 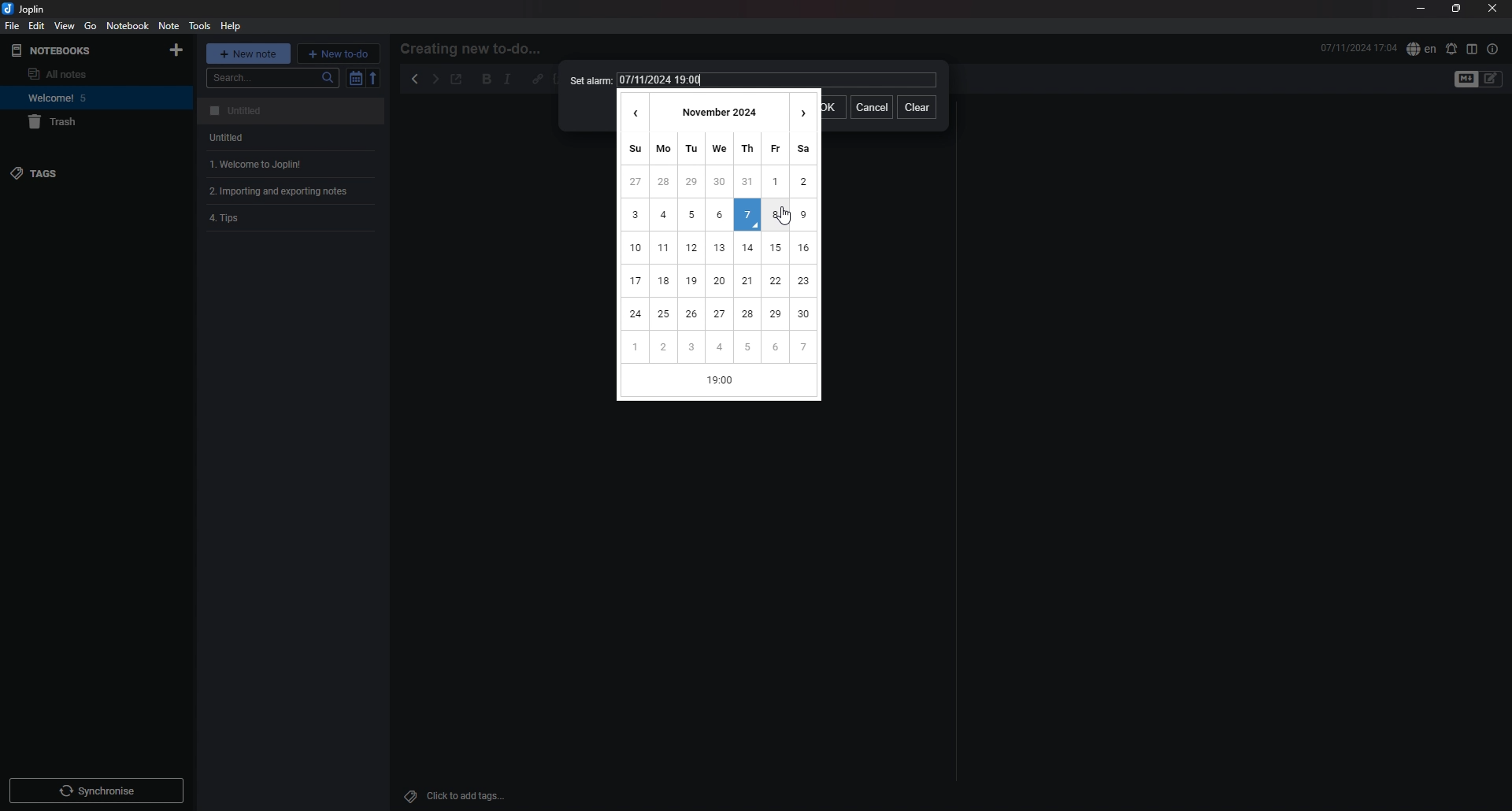 I want to click on notebook, so click(x=90, y=97).